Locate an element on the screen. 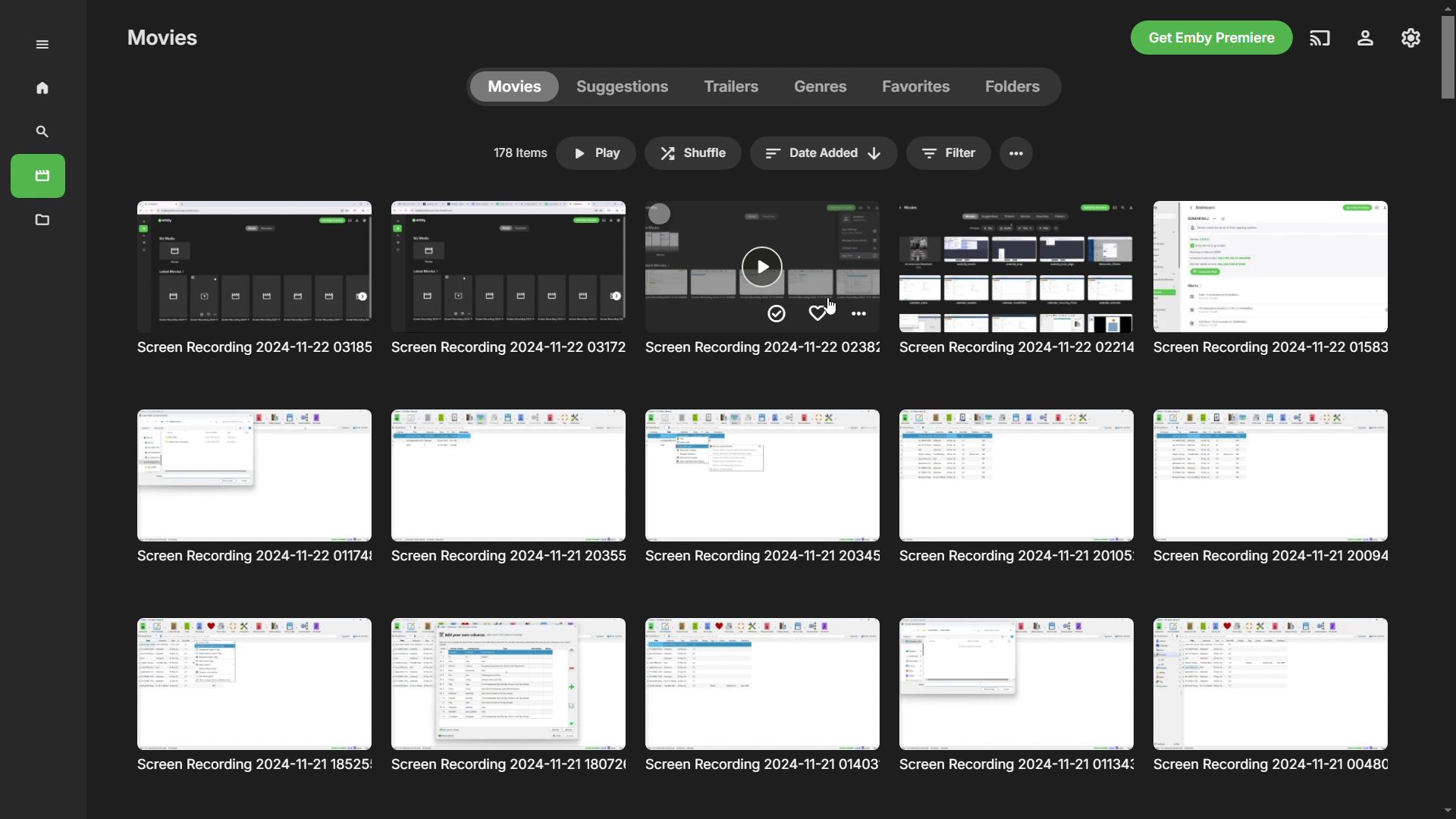 The height and width of the screenshot is (819, 1456). get emby premiere is located at coordinates (1212, 37).